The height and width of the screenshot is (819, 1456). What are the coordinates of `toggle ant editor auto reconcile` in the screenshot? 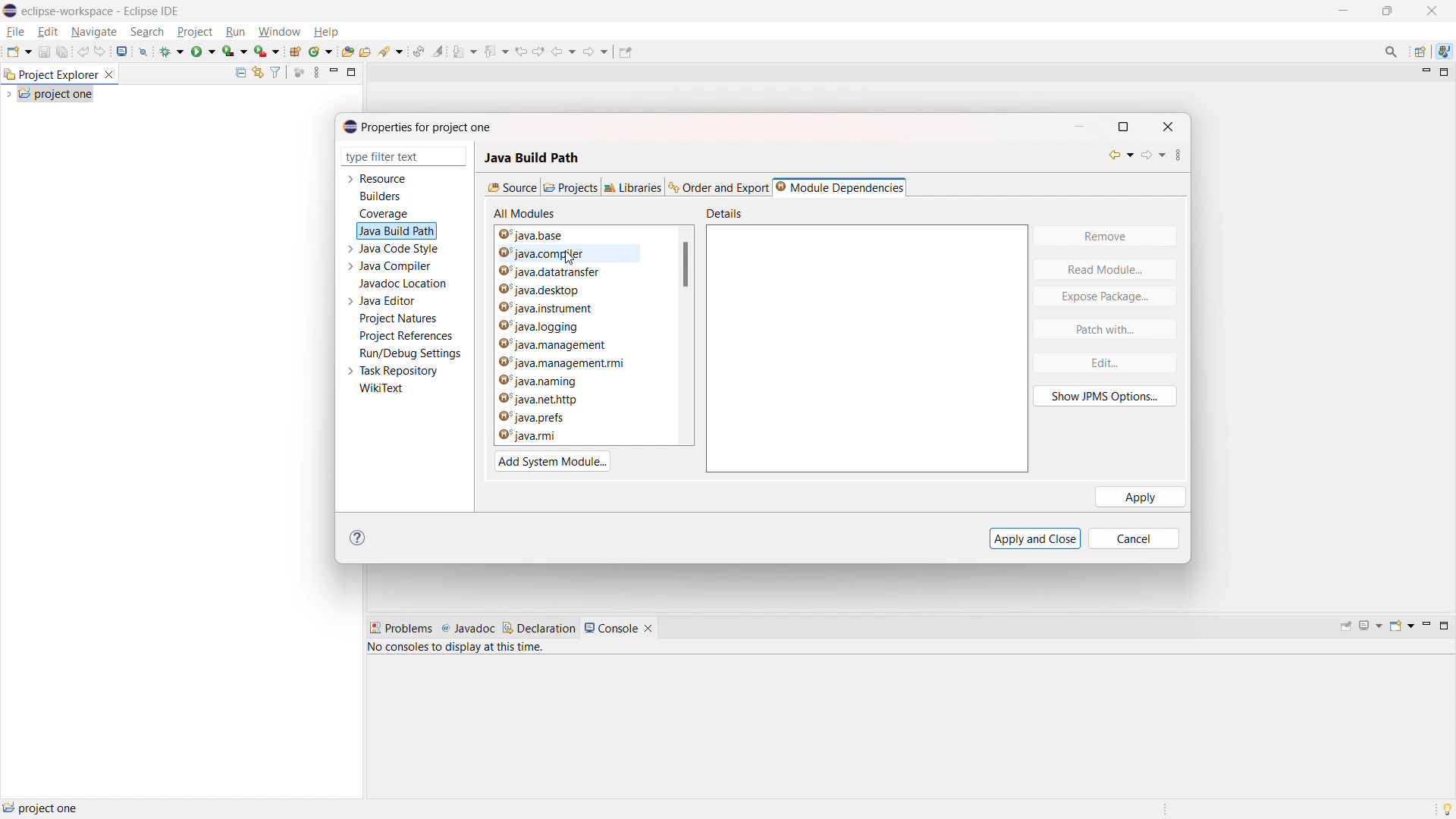 It's located at (418, 51).